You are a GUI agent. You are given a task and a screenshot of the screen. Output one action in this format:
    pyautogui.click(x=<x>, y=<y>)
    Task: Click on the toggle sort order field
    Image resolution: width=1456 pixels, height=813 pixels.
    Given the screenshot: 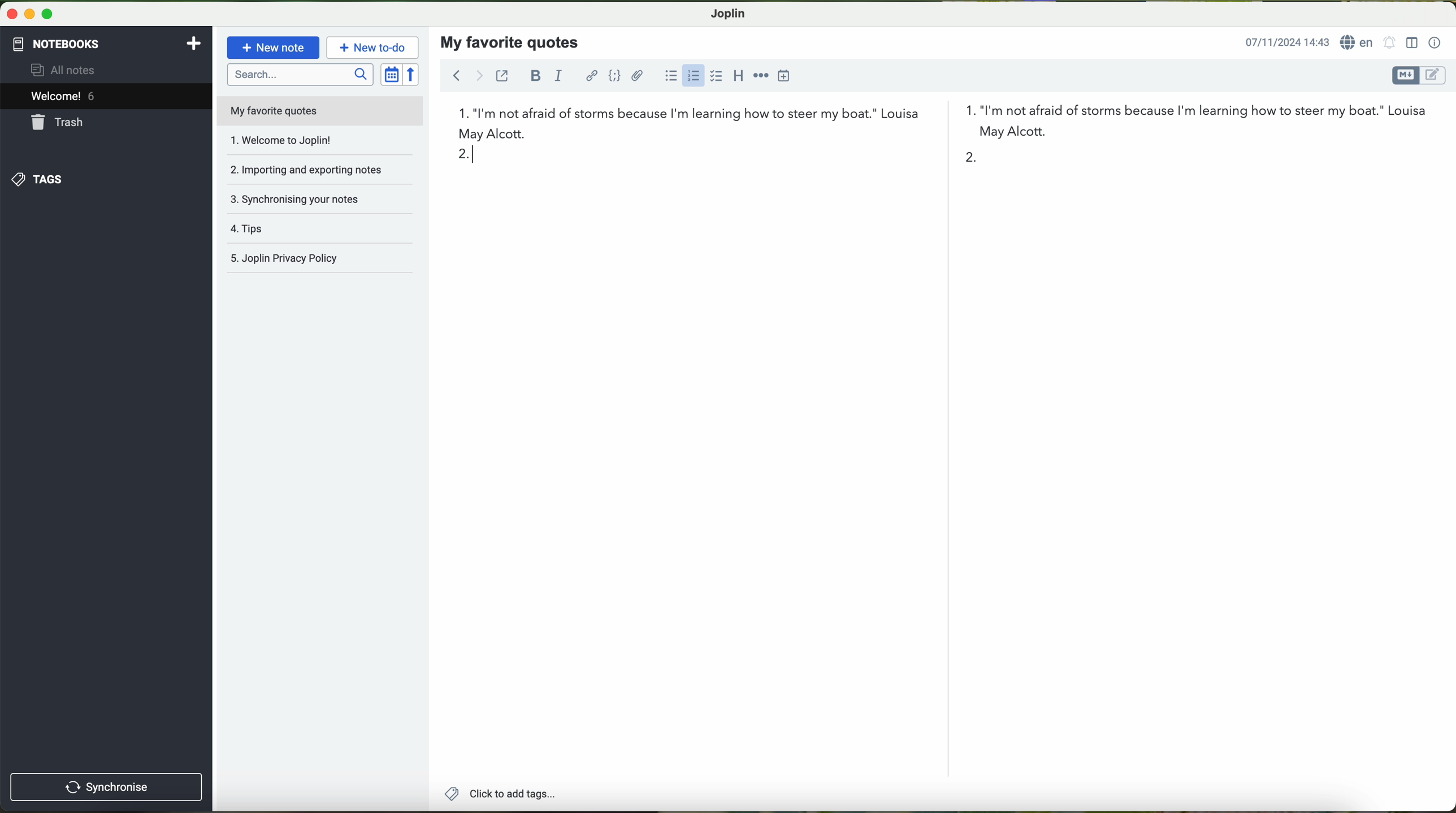 What is the action you would take?
    pyautogui.click(x=389, y=75)
    